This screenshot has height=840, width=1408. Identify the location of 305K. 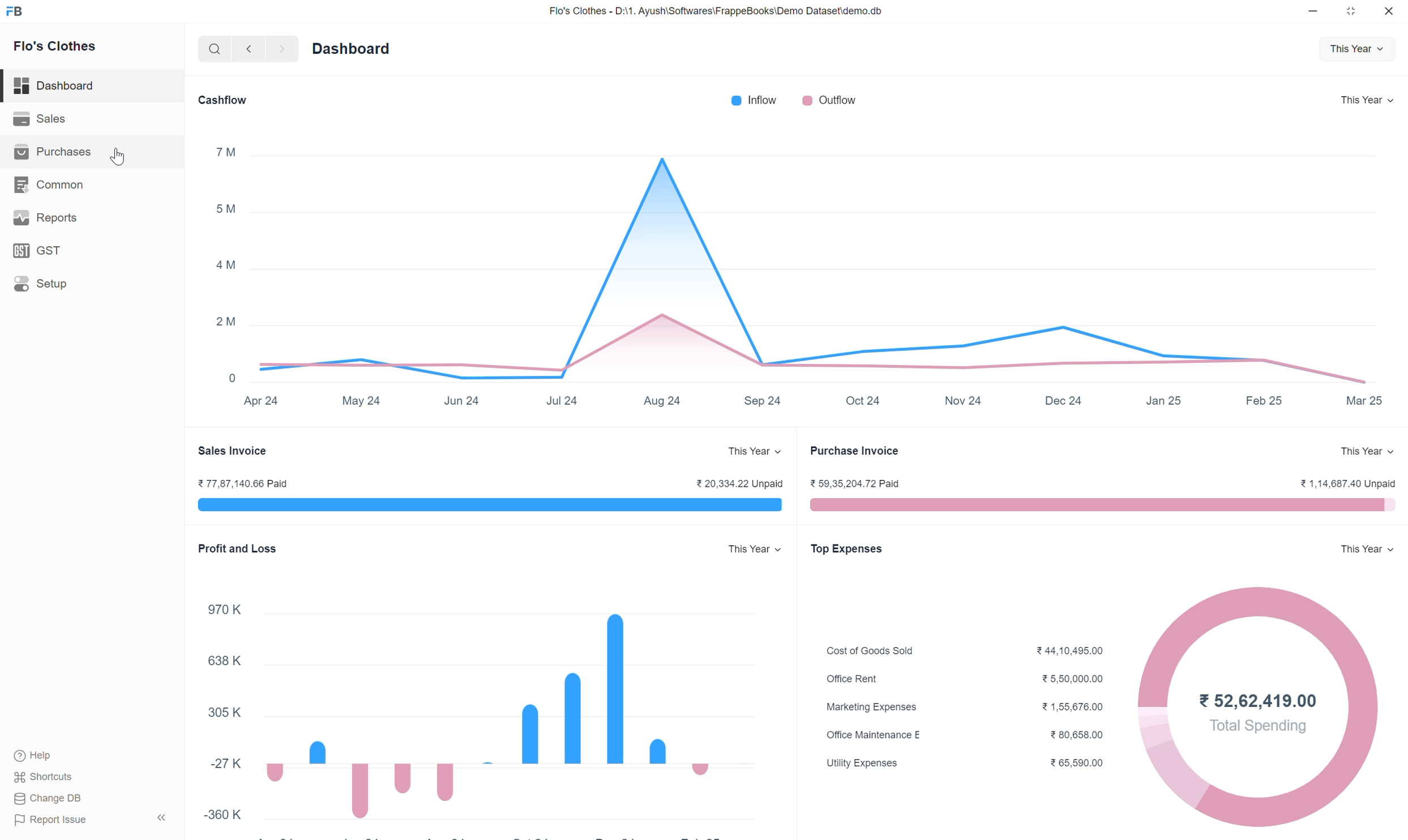
(224, 712).